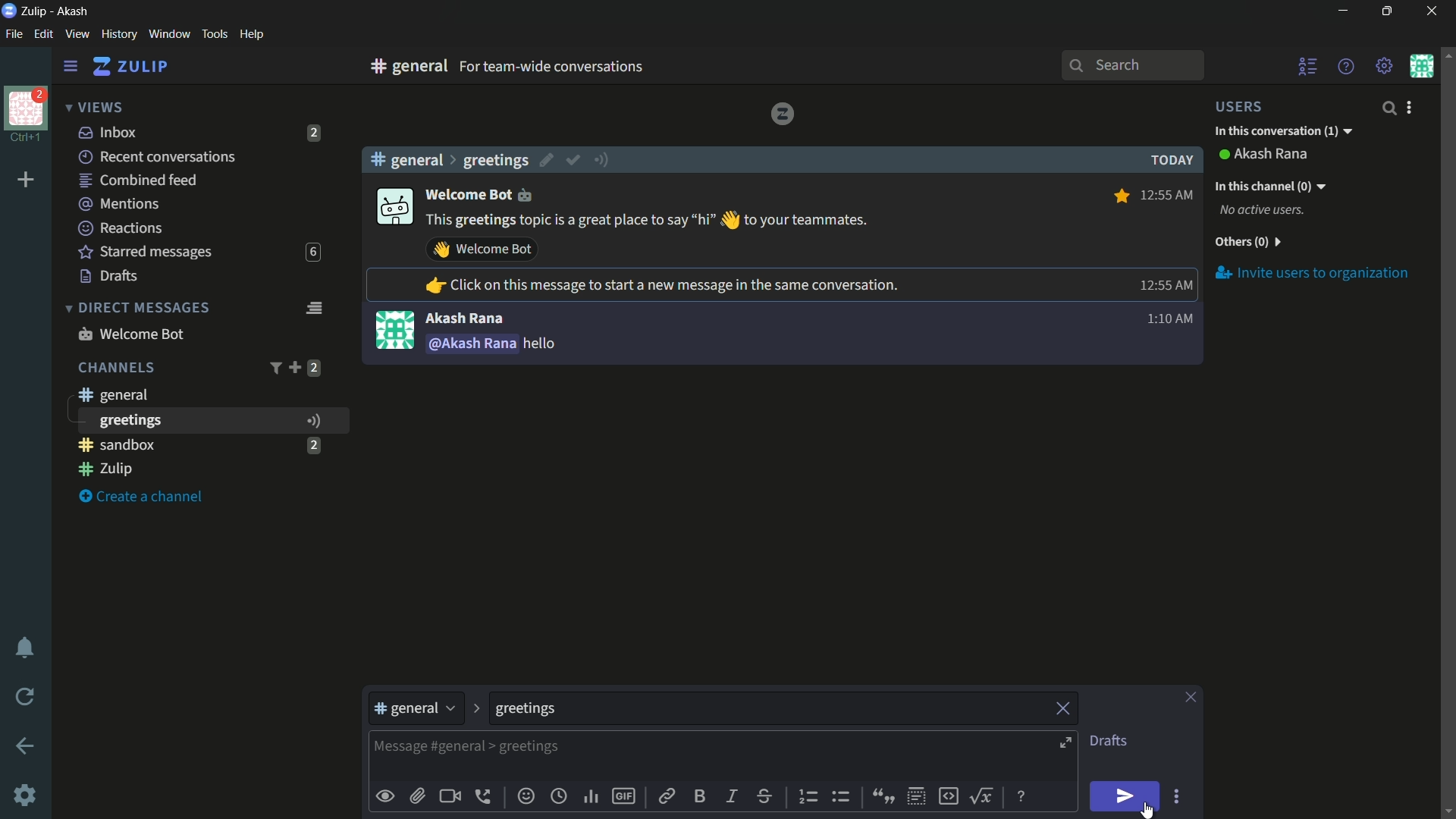 This screenshot has width=1456, height=819. Describe the element at coordinates (71, 67) in the screenshot. I see `settings` at that location.